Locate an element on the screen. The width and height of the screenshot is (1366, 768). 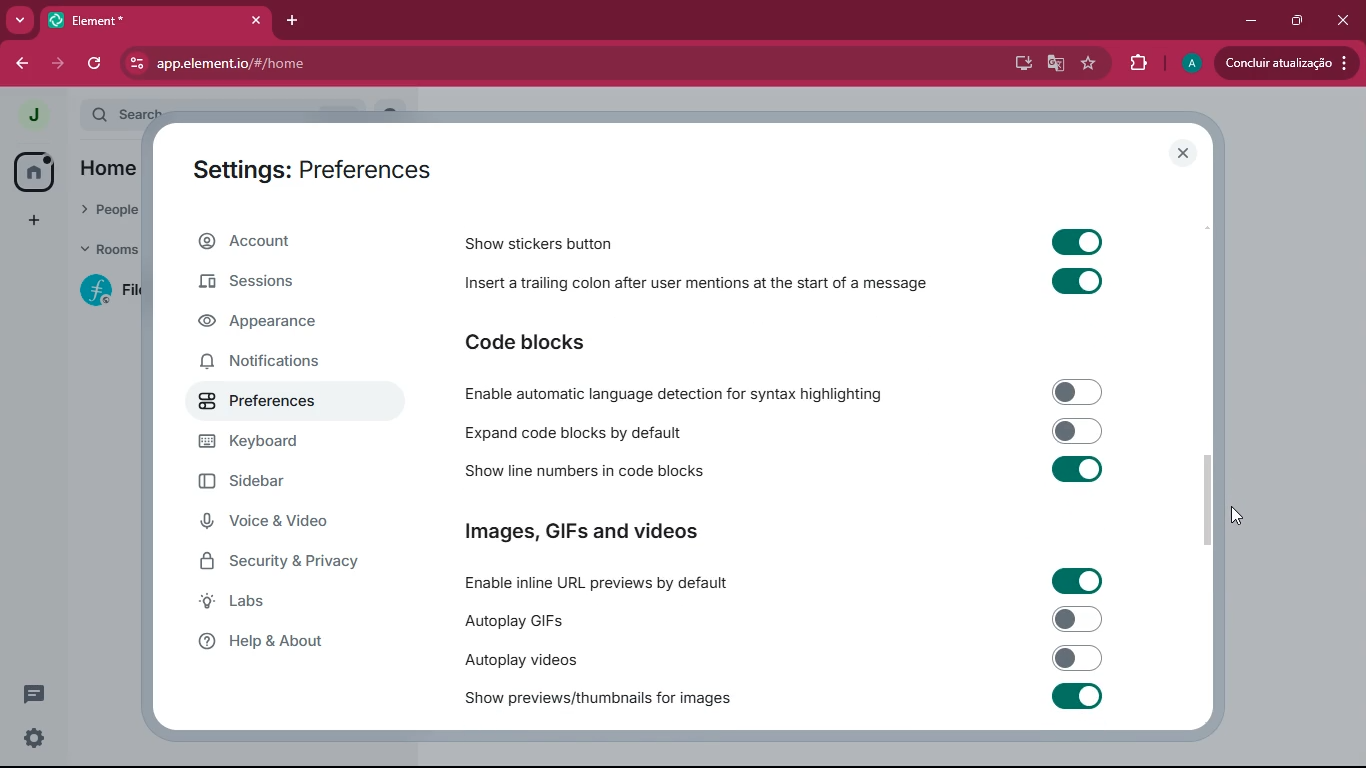
colon is located at coordinates (694, 287).